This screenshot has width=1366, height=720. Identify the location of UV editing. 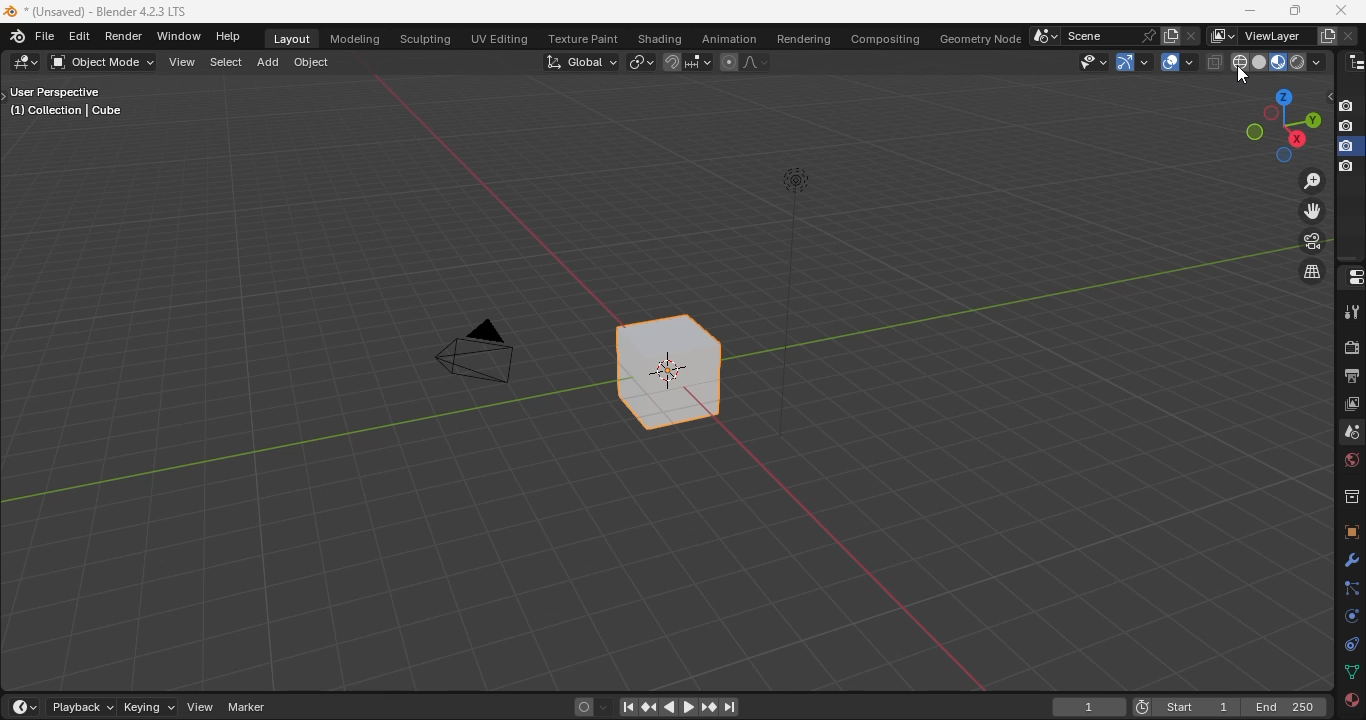
(502, 39).